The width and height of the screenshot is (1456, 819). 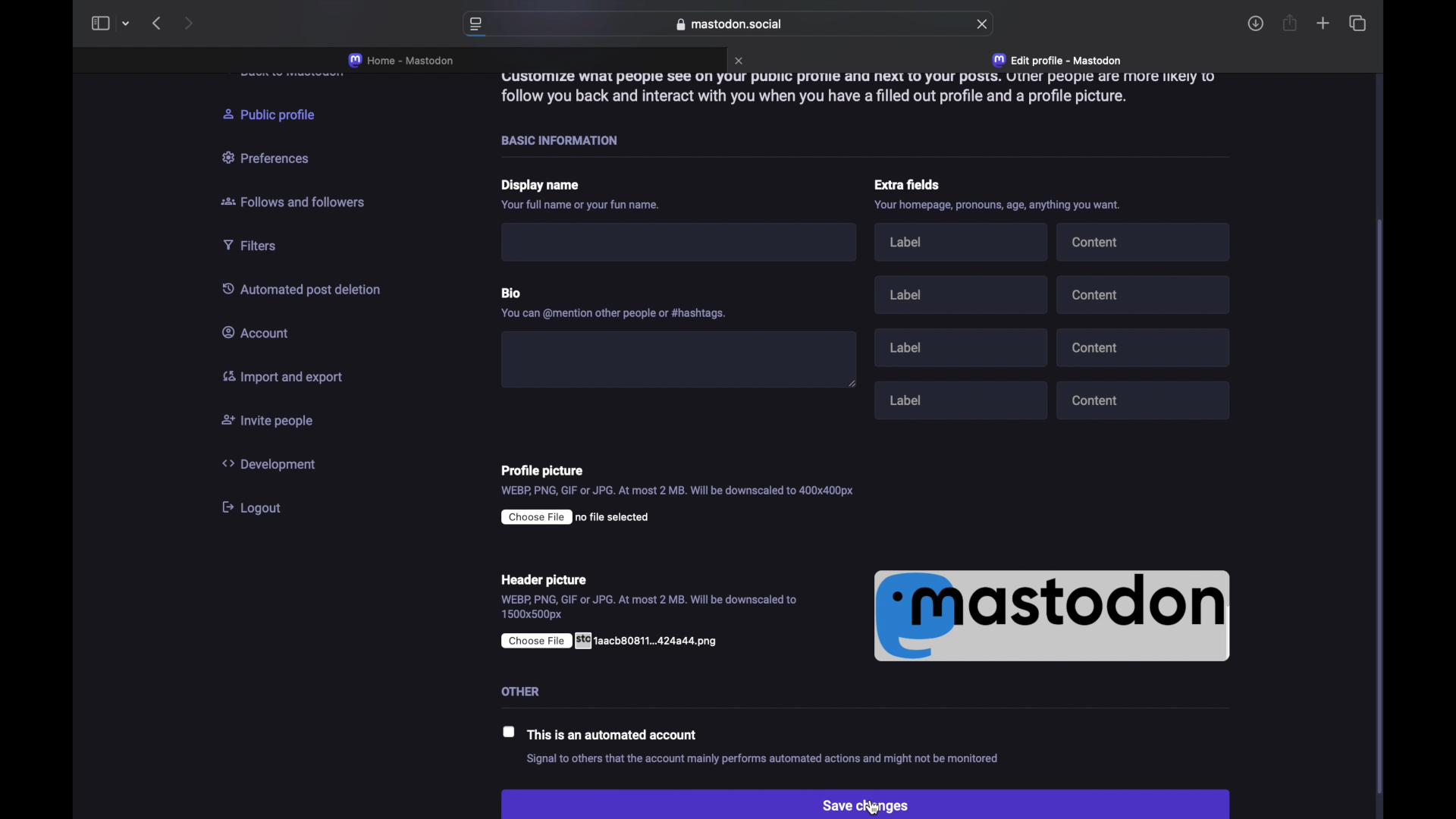 I want to click on Invite people, so click(x=271, y=419).